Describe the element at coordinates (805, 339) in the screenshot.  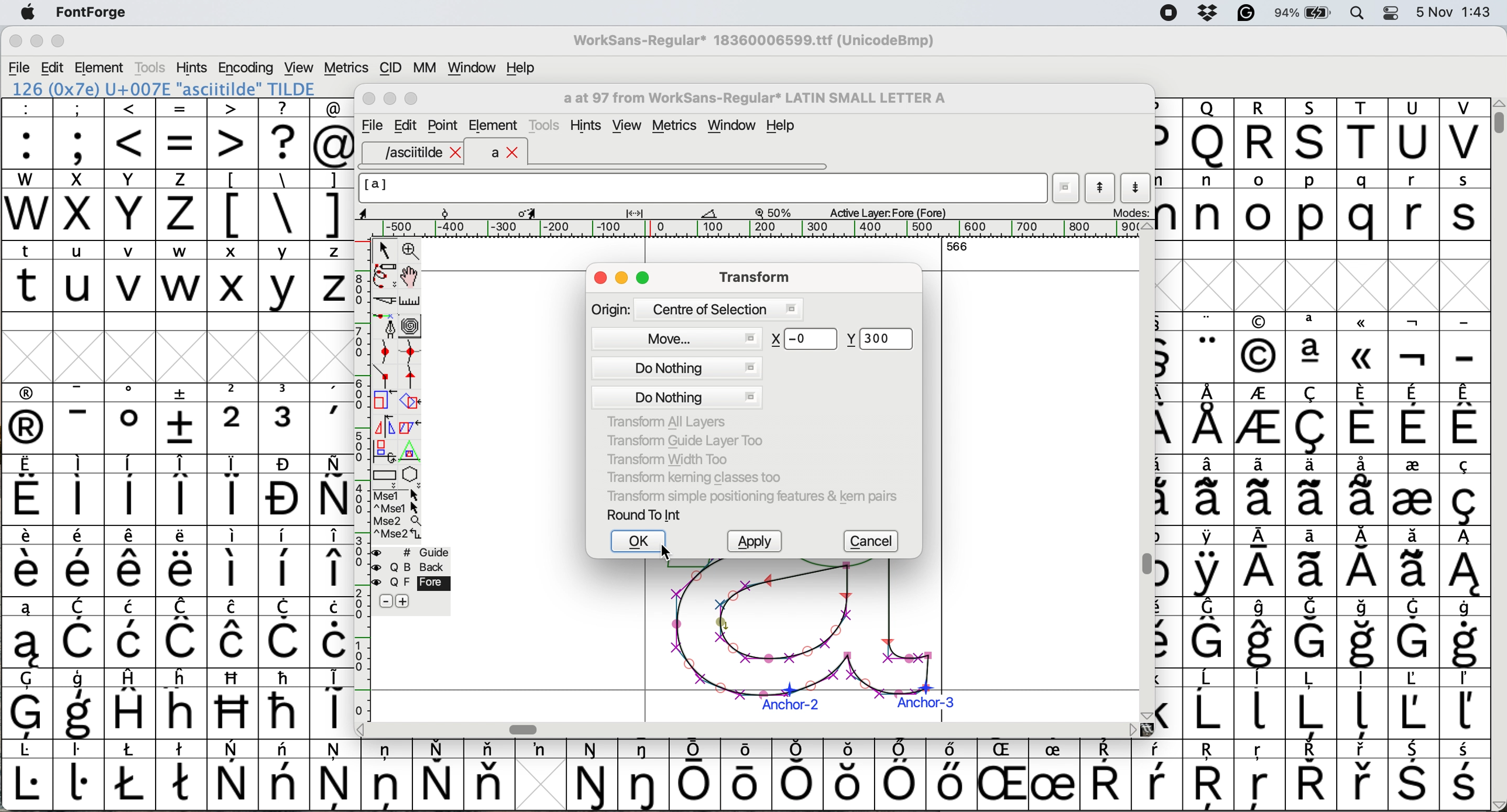
I see `` at that location.